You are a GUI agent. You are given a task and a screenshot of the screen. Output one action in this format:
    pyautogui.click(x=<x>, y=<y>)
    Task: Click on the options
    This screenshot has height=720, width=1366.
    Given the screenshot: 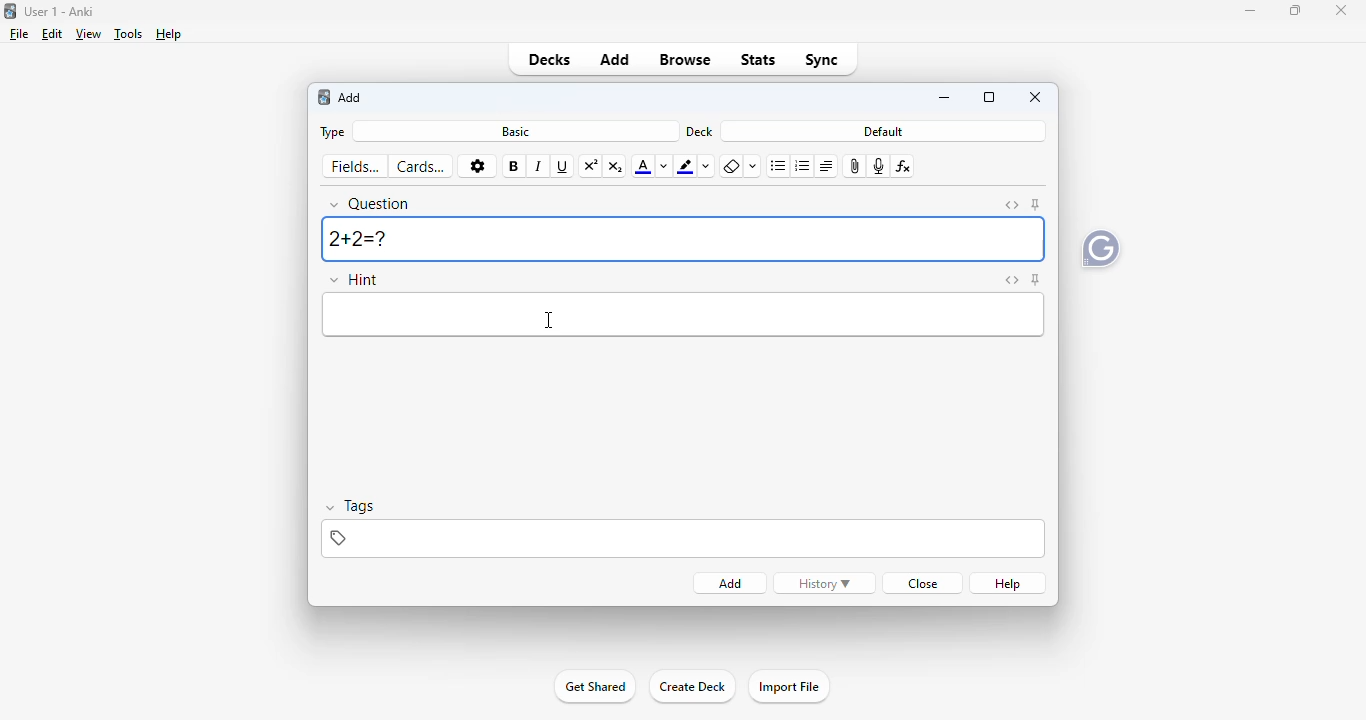 What is the action you would take?
    pyautogui.click(x=477, y=166)
    